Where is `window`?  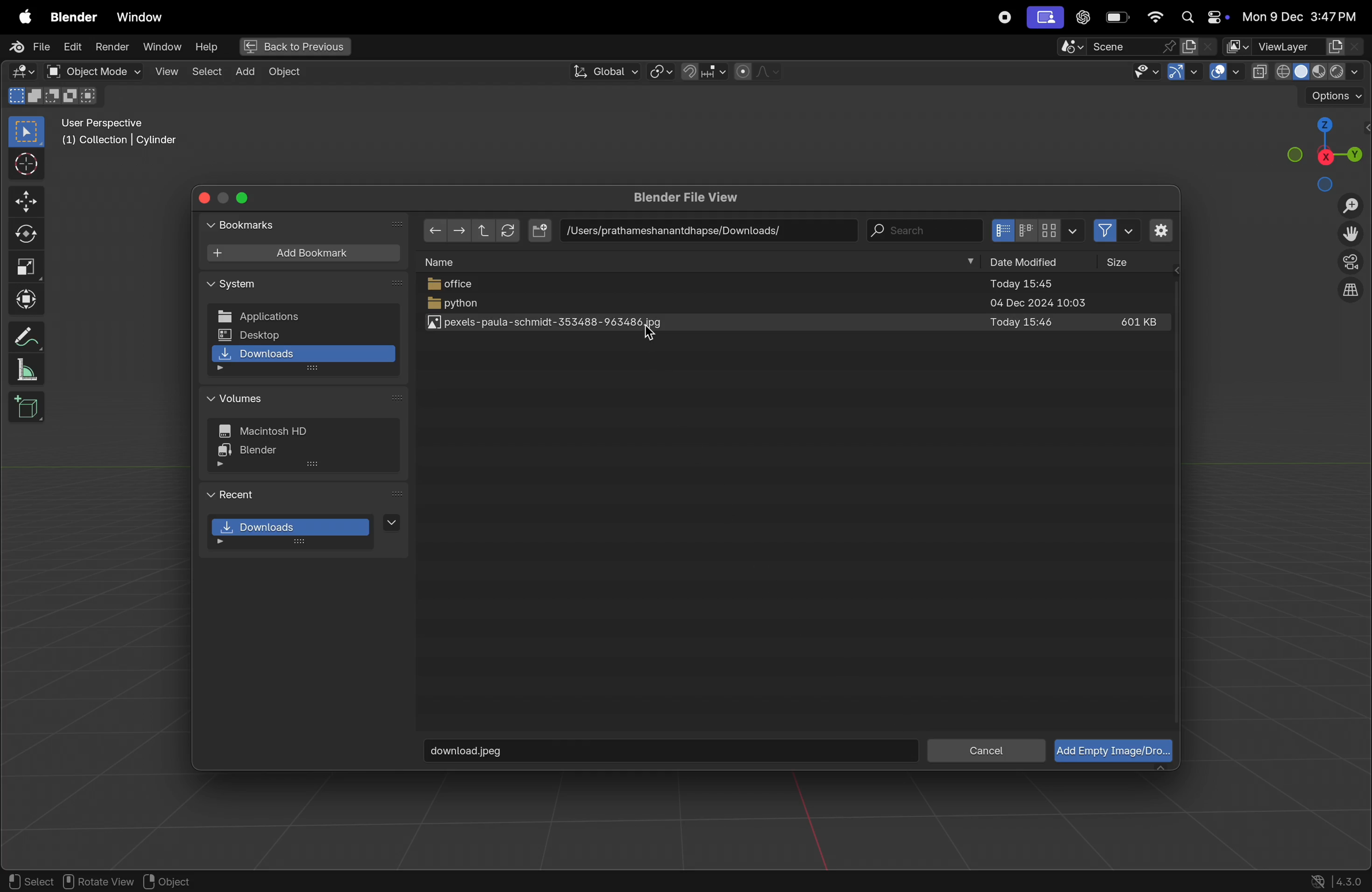
window is located at coordinates (161, 48).